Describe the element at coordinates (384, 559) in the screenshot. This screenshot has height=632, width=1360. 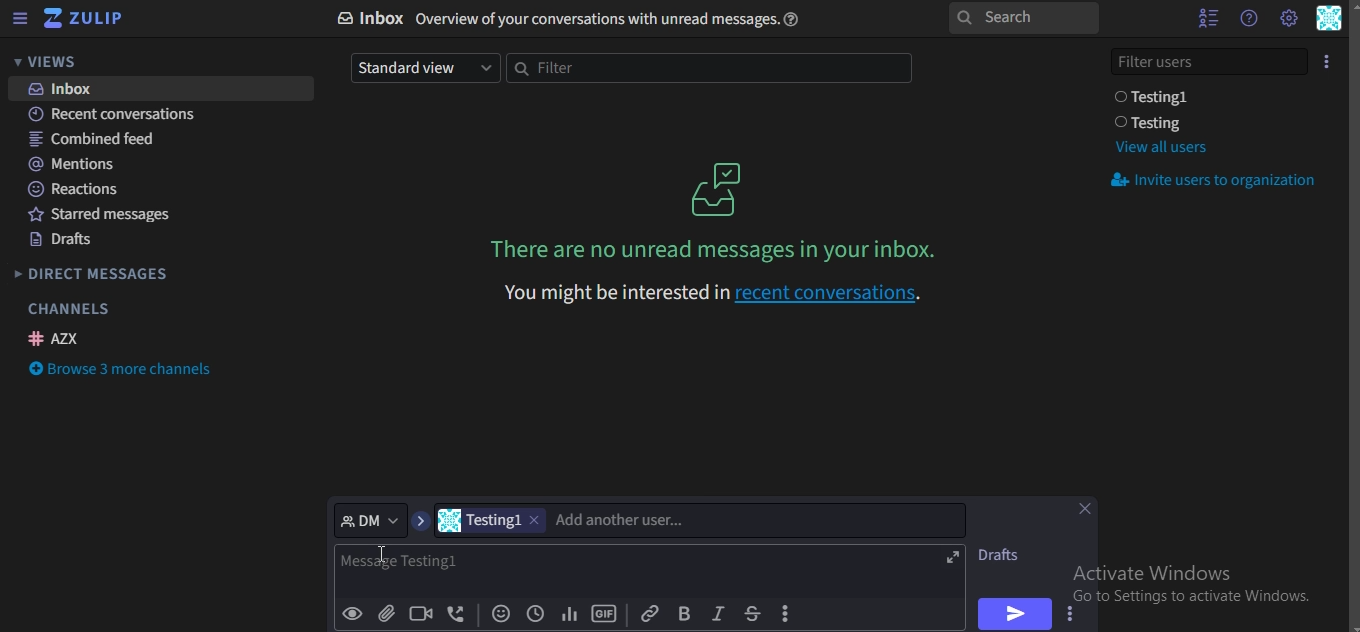
I see `cursor` at that location.